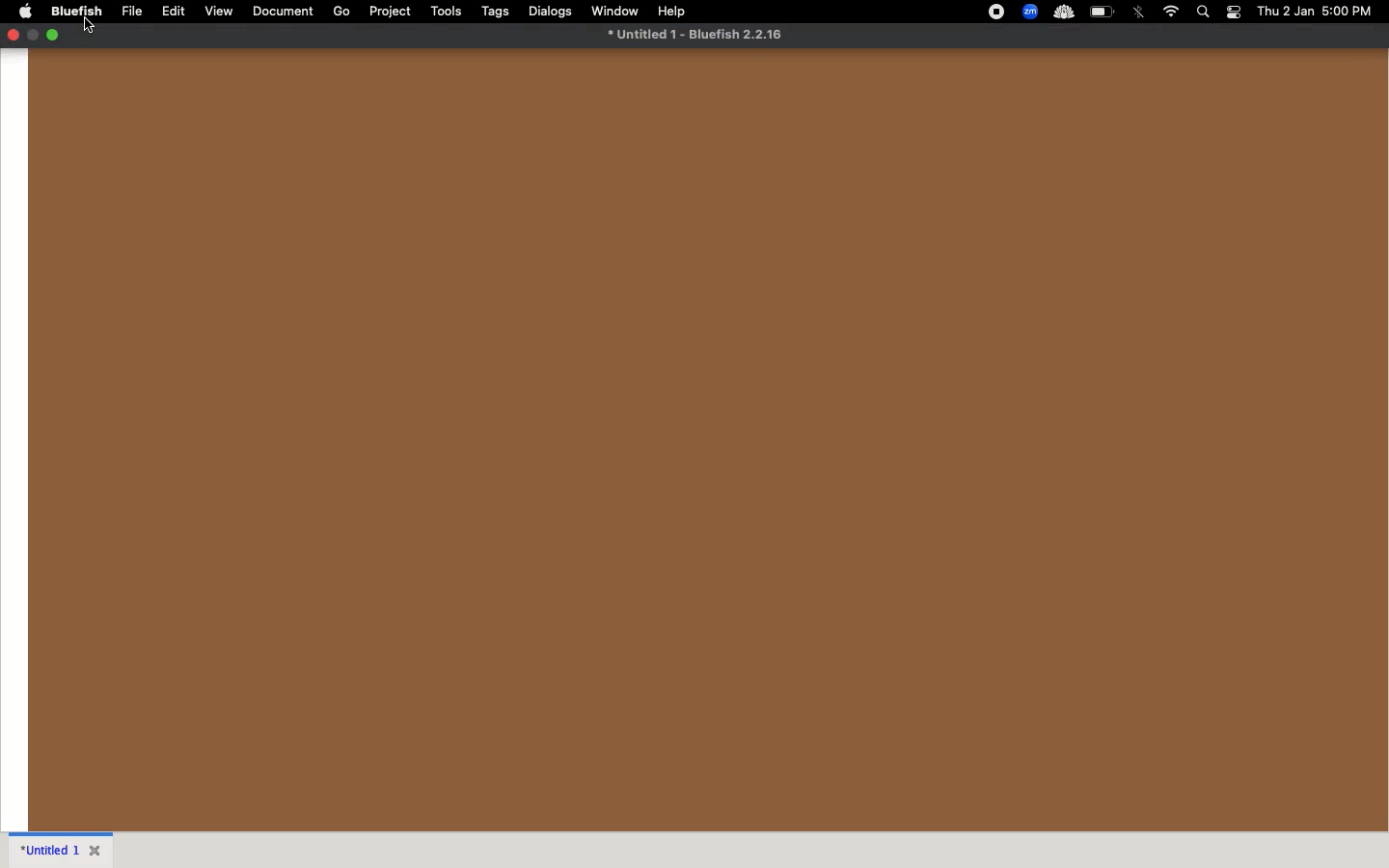  Describe the element at coordinates (449, 11) in the screenshot. I see `tools` at that location.